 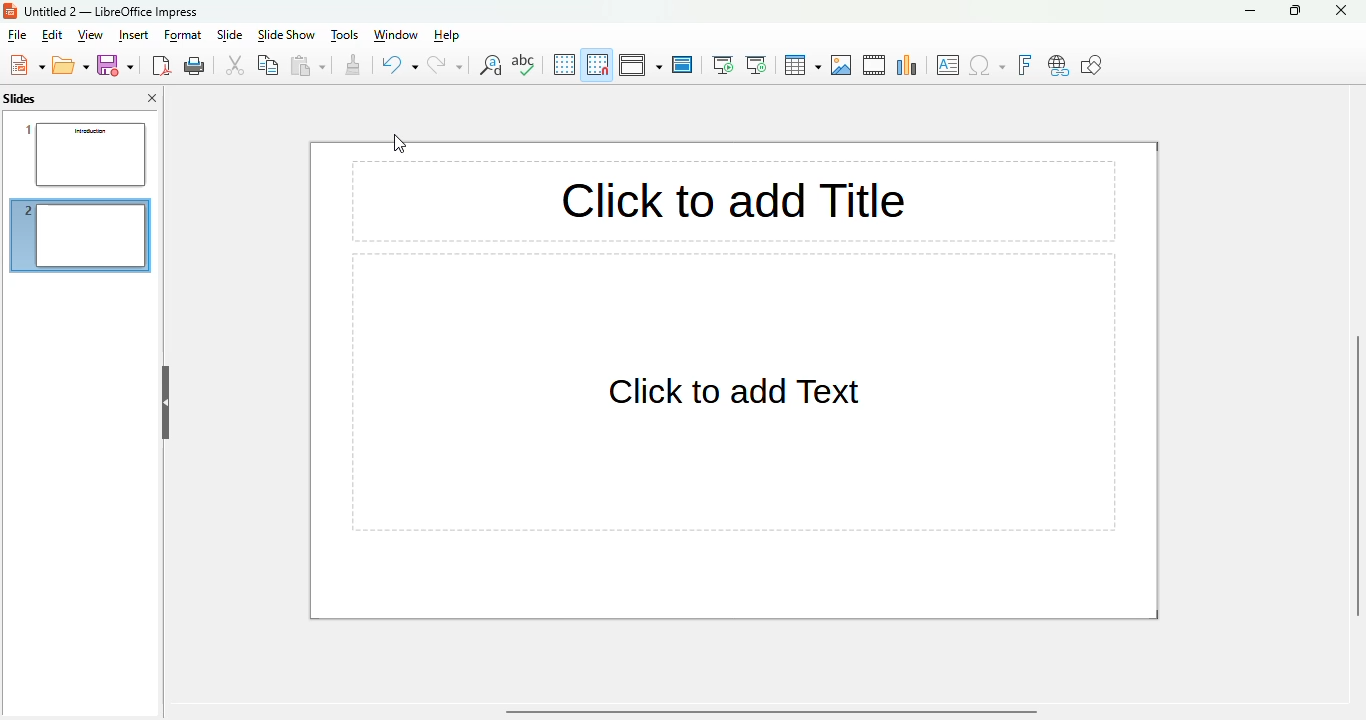 What do you see at coordinates (491, 65) in the screenshot?
I see `find and replace` at bounding box center [491, 65].